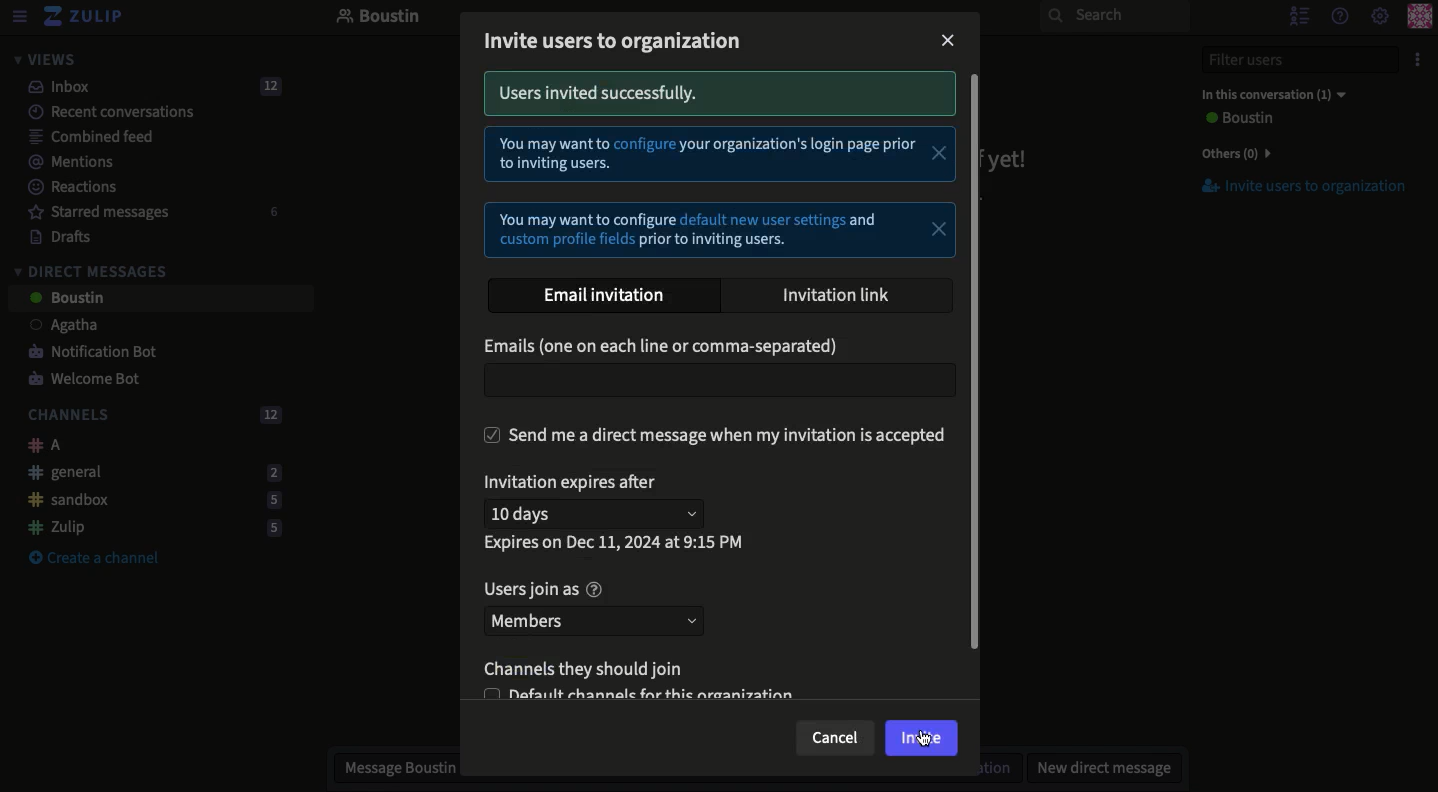 This screenshot has width=1438, height=792. What do you see at coordinates (18, 17) in the screenshot?
I see `View menu` at bounding box center [18, 17].